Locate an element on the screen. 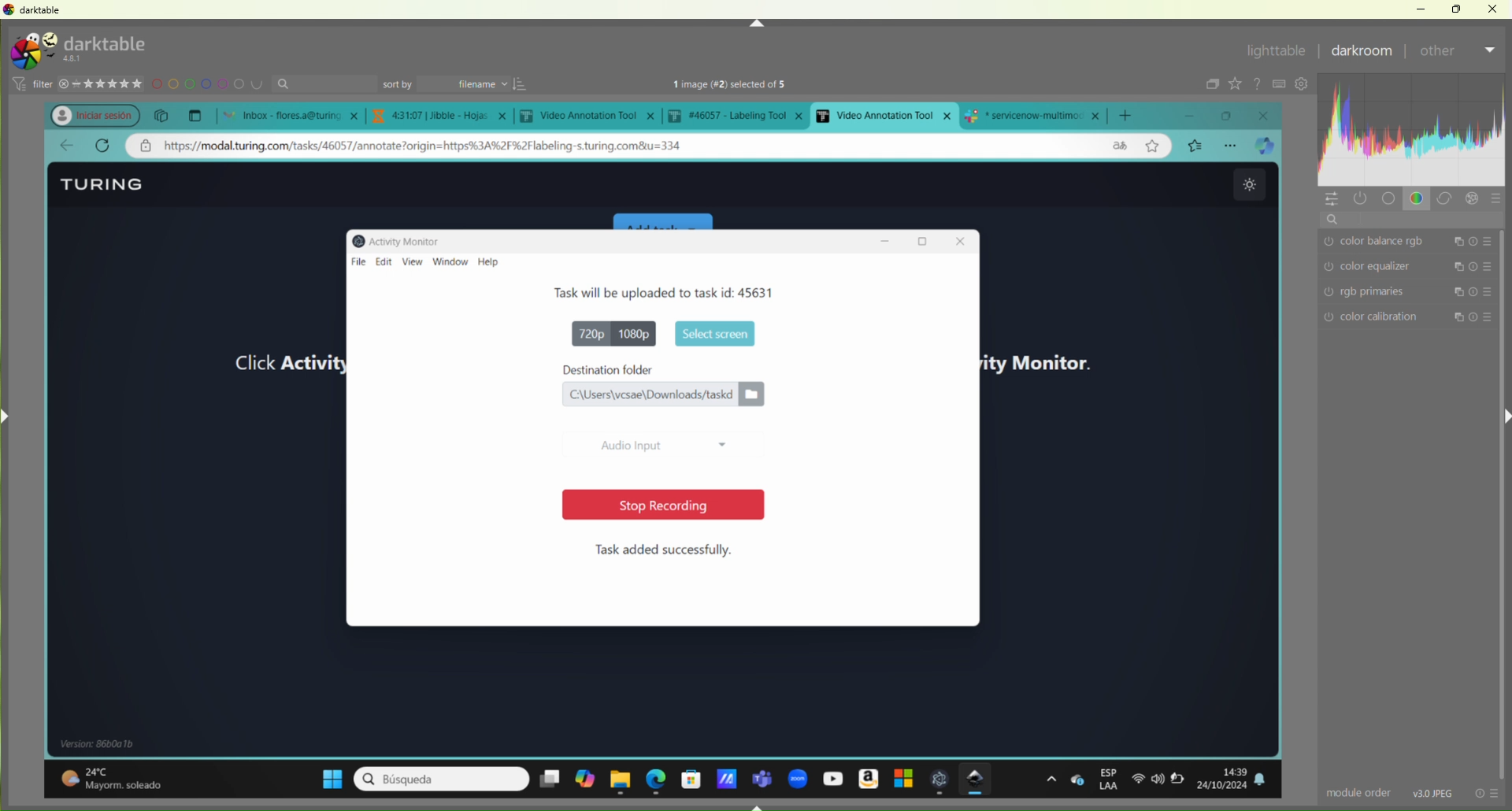 Image resolution: width=1512 pixels, height=811 pixels. customization is located at coordinates (1414, 141).